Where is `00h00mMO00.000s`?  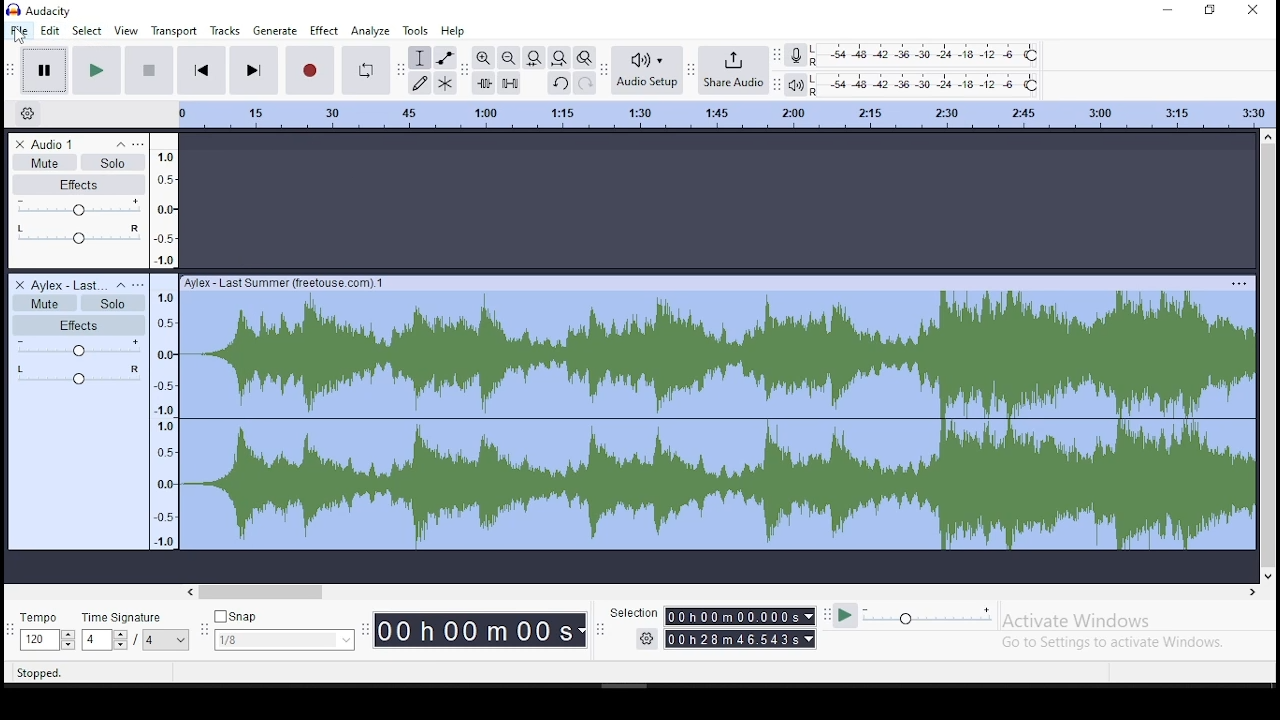 00h00mMO00.000s is located at coordinates (739, 616).